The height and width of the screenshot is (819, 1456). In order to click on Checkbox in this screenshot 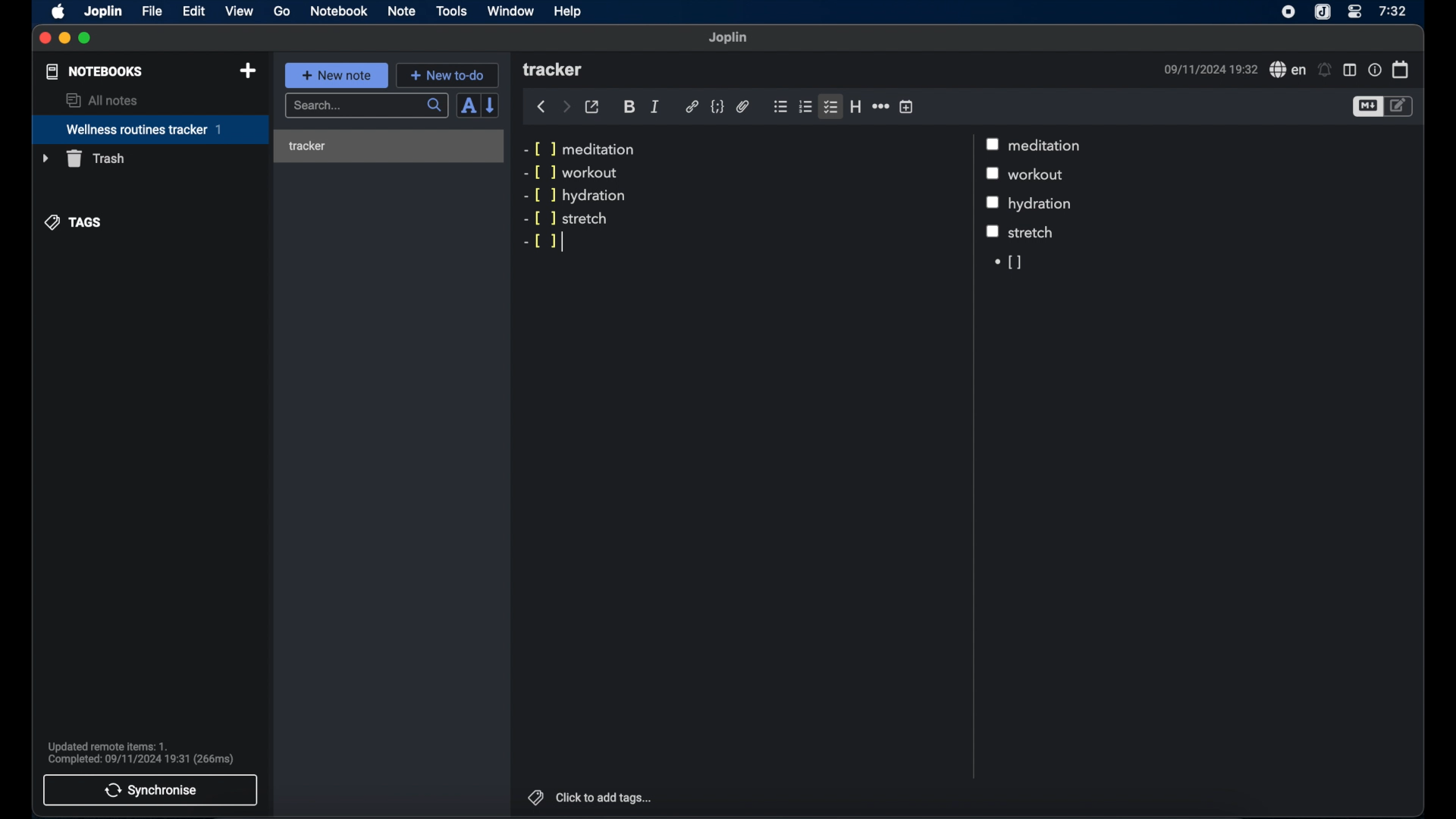, I will do `click(993, 202)`.